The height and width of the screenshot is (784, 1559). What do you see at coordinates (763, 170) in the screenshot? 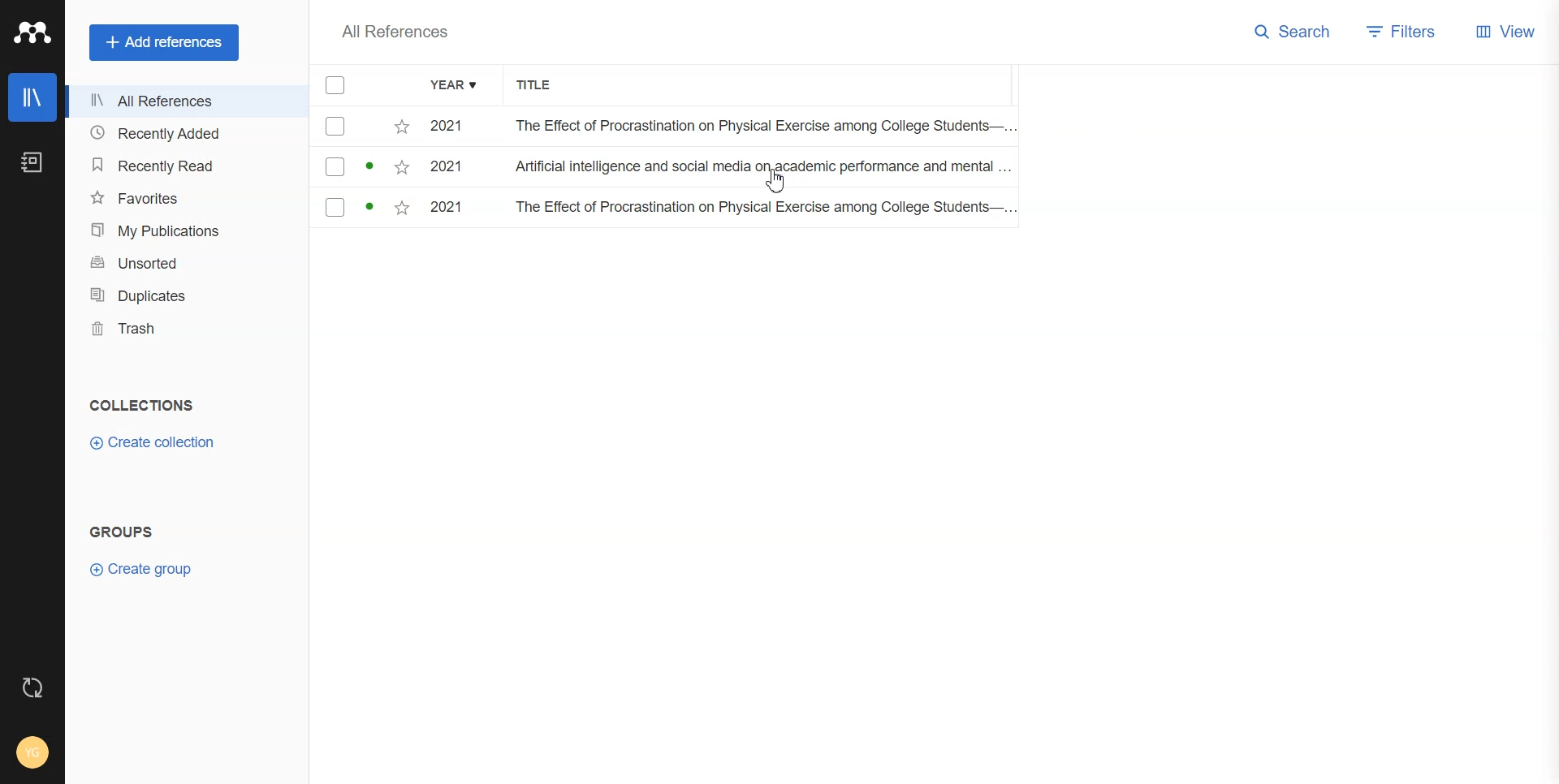
I see `Artificial intelligence and social media on academic performance and mental...` at bounding box center [763, 170].